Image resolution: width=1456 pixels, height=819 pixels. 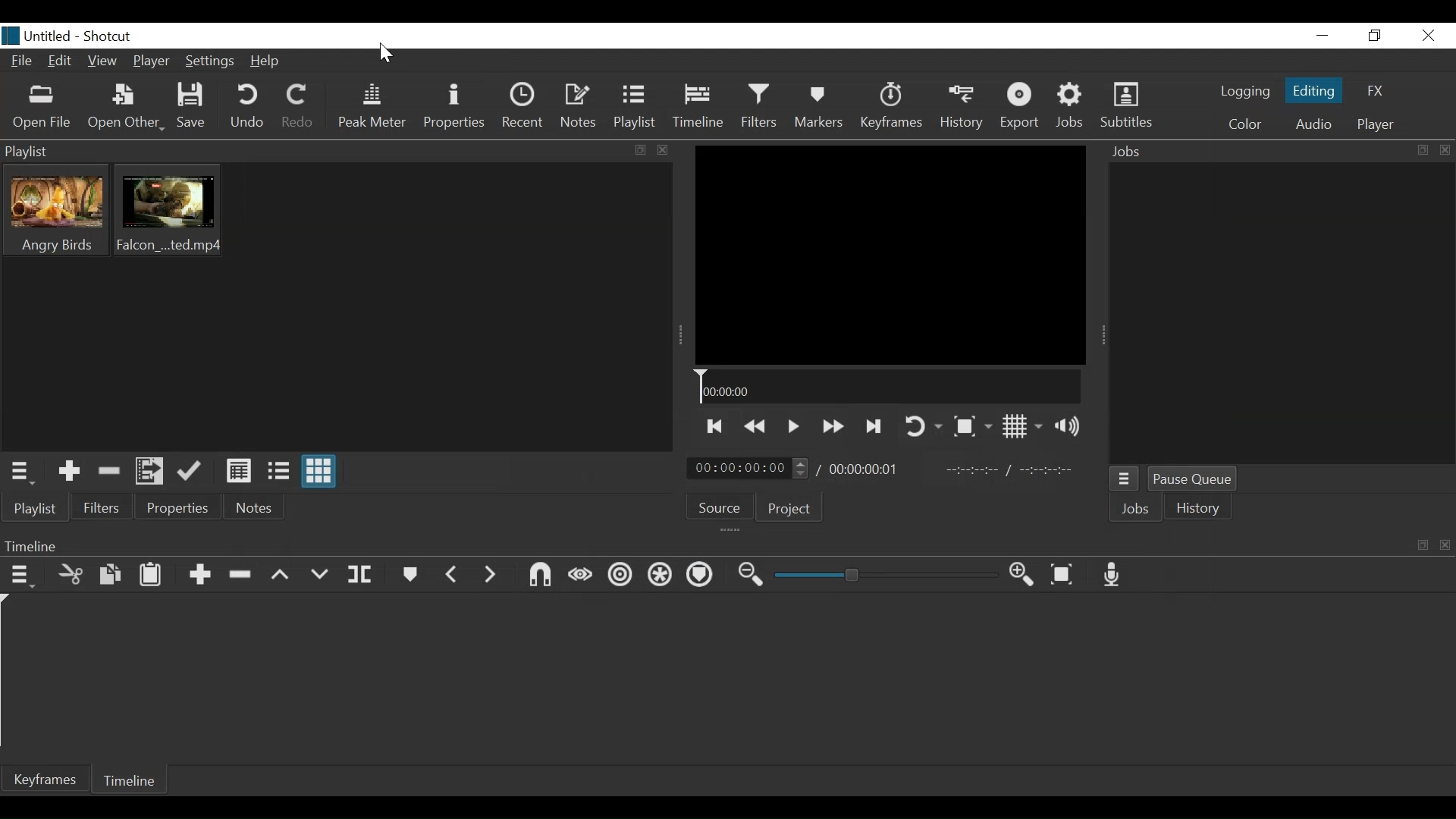 What do you see at coordinates (720, 506) in the screenshot?
I see `Source` at bounding box center [720, 506].